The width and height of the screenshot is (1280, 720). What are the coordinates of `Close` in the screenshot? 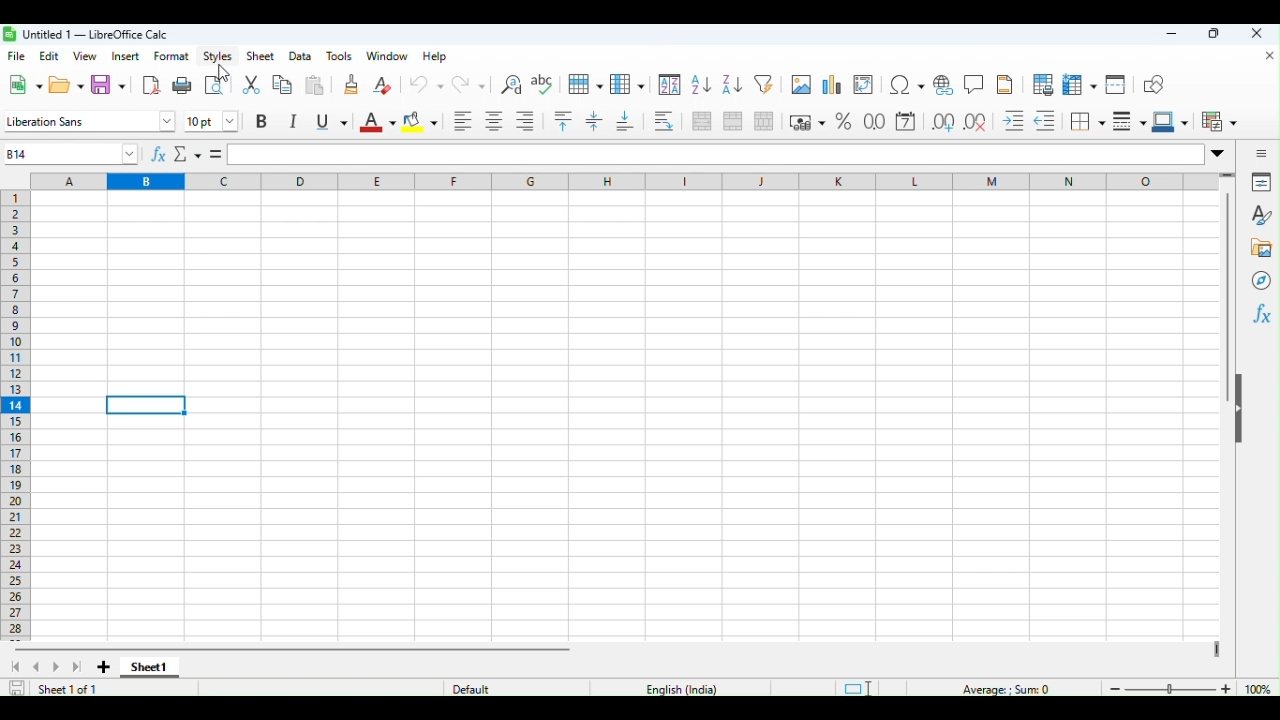 It's located at (1266, 56).